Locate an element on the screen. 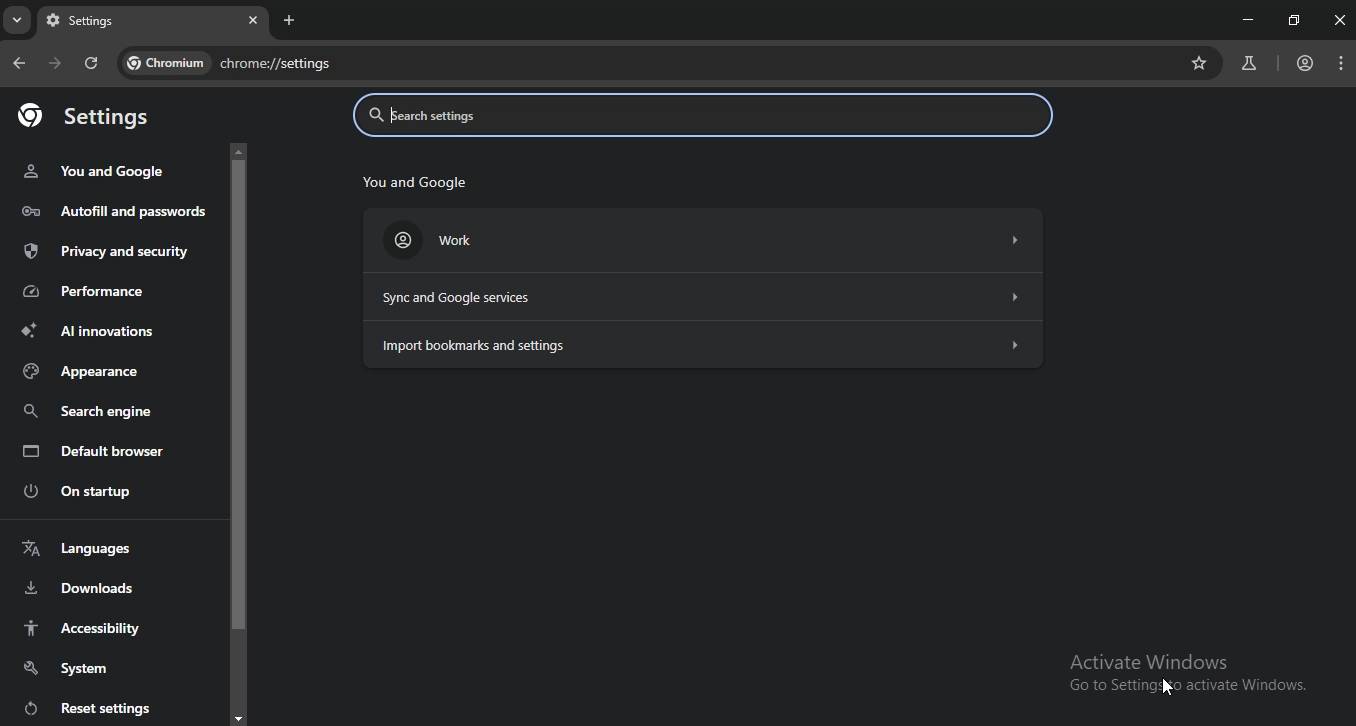  chrome://settings is located at coordinates (397, 65).